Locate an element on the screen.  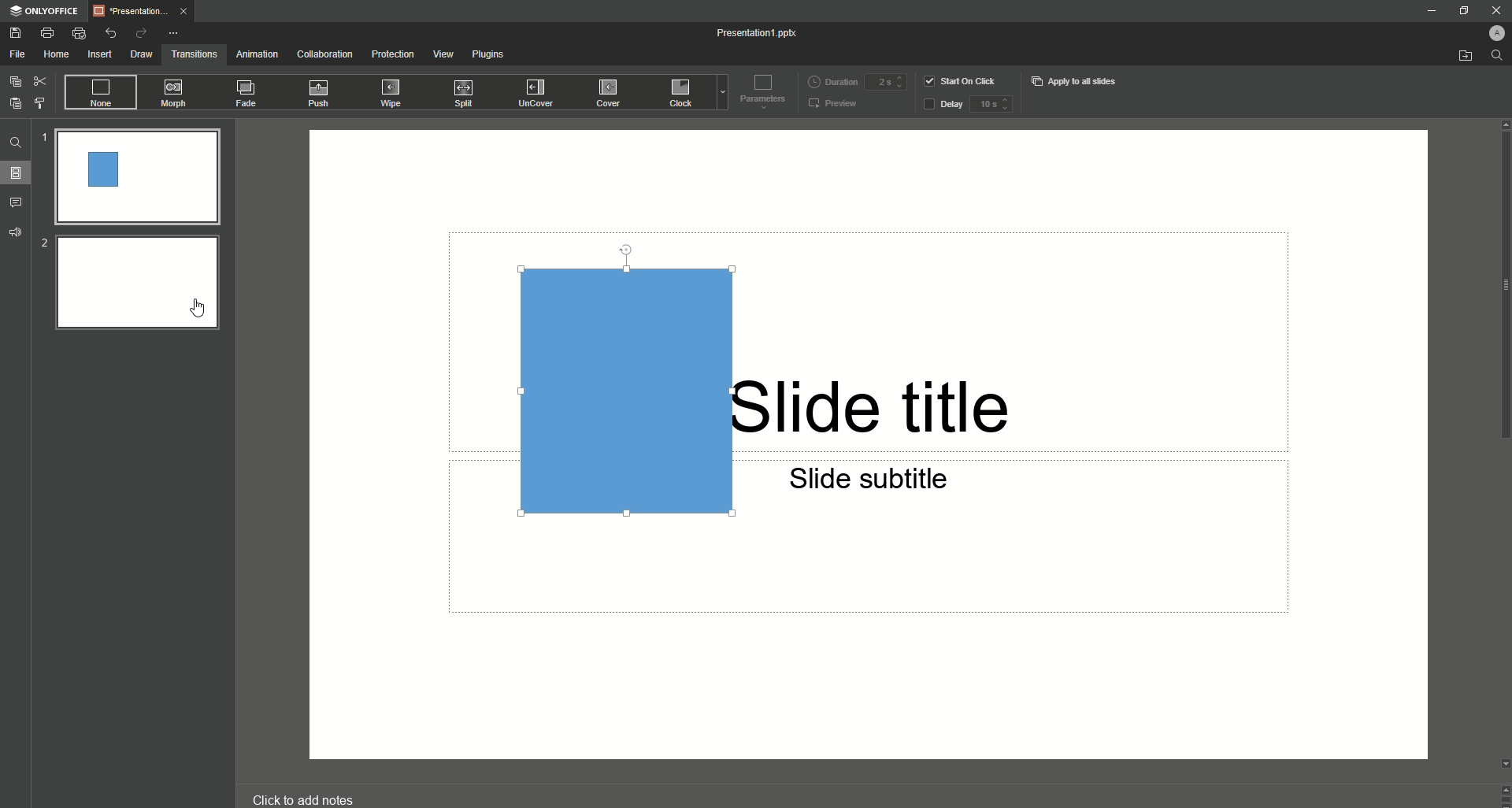
Fade is located at coordinates (247, 94).